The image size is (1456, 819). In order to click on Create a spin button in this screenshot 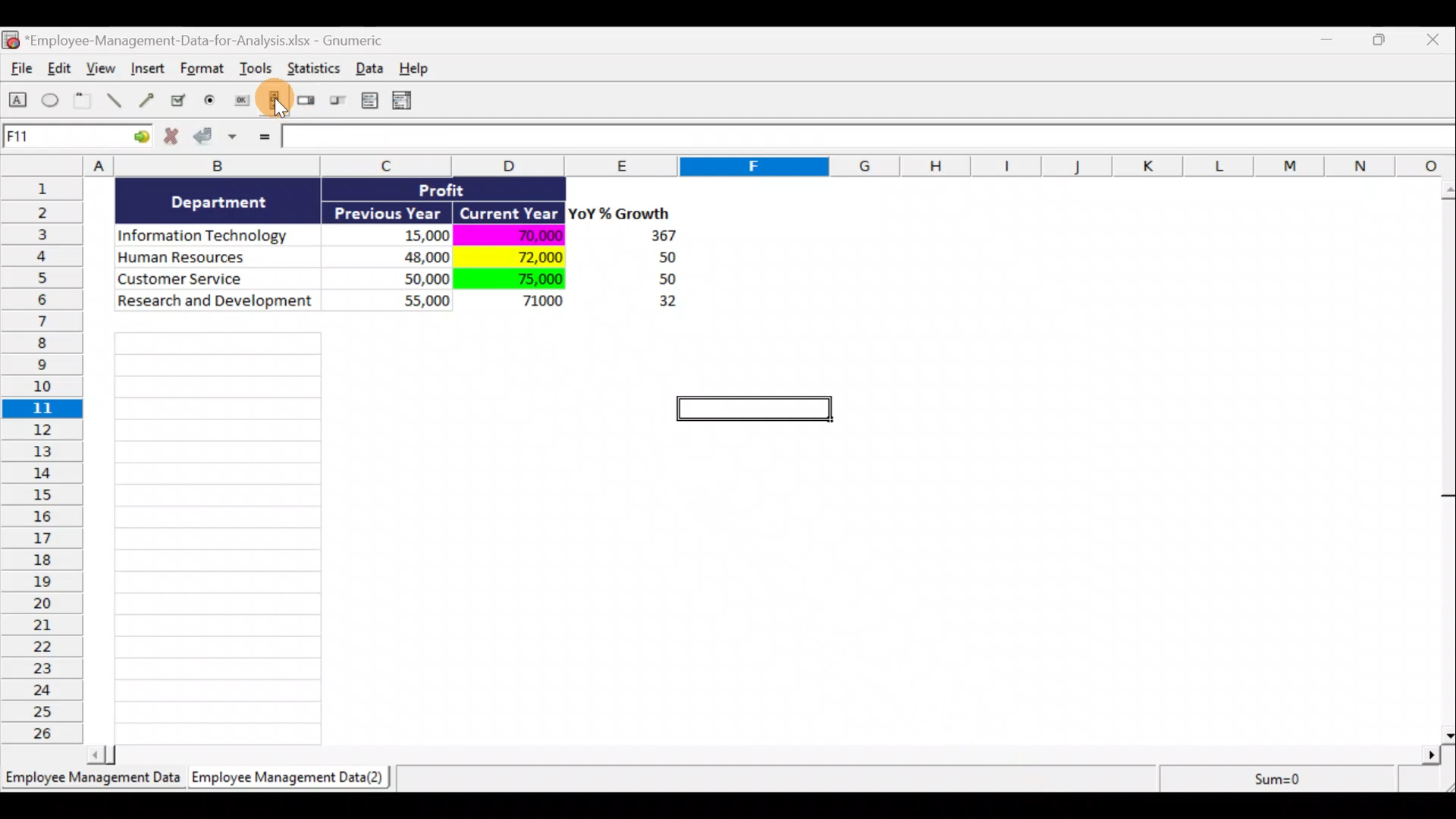, I will do `click(307, 102)`.